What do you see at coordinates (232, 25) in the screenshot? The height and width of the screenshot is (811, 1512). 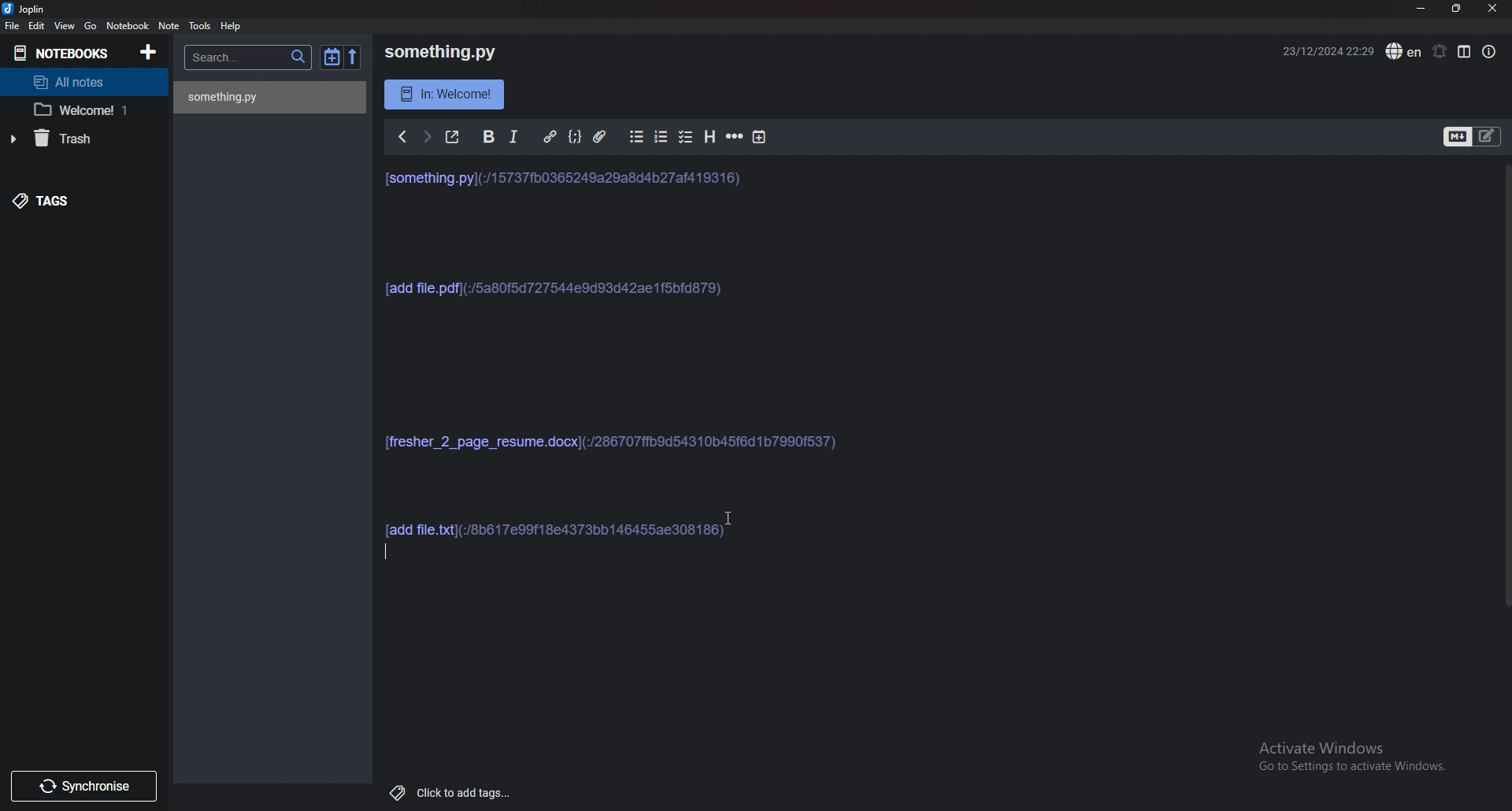 I see `Help` at bounding box center [232, 25].